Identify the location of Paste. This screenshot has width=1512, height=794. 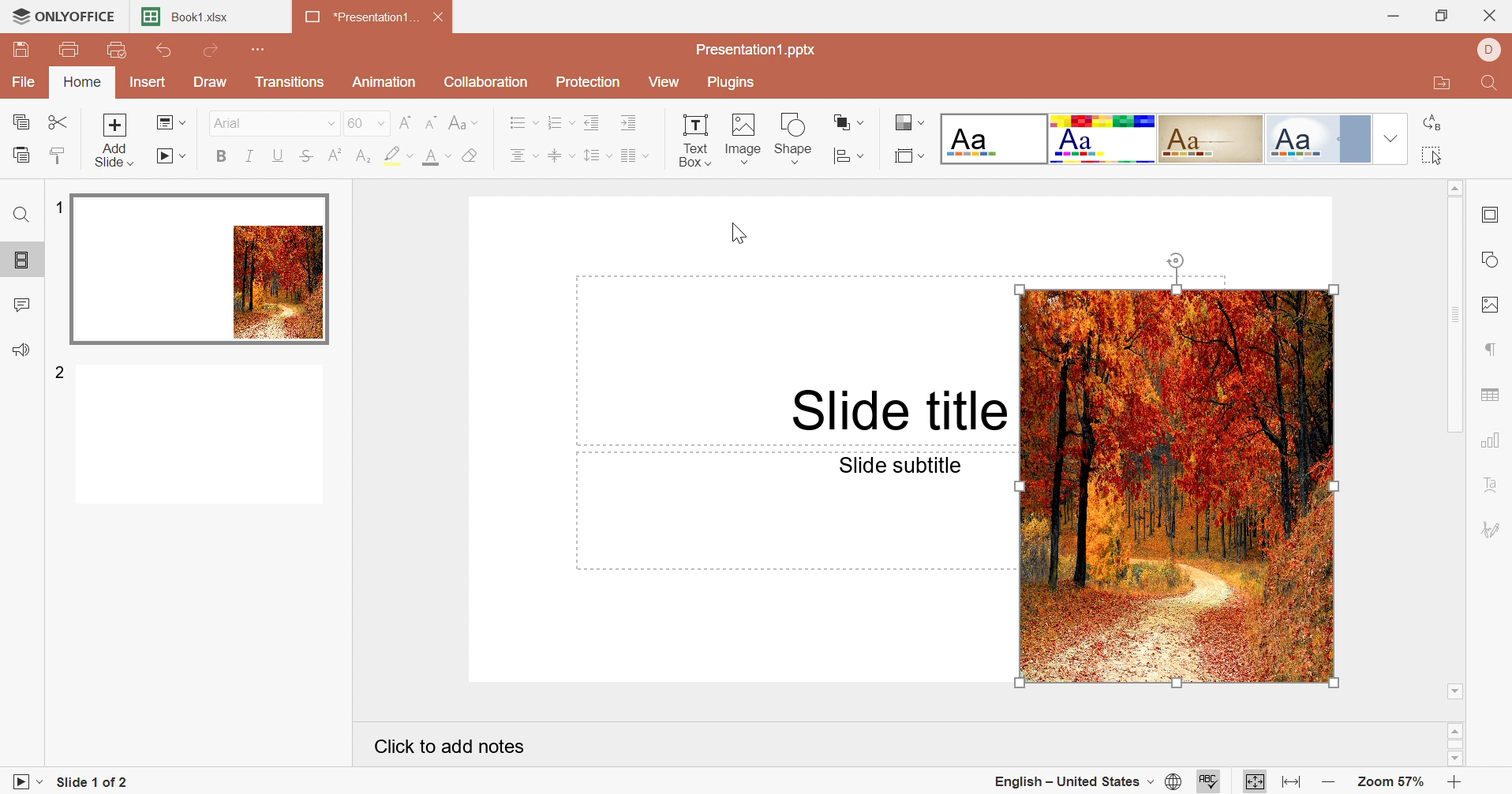
(23, 154).